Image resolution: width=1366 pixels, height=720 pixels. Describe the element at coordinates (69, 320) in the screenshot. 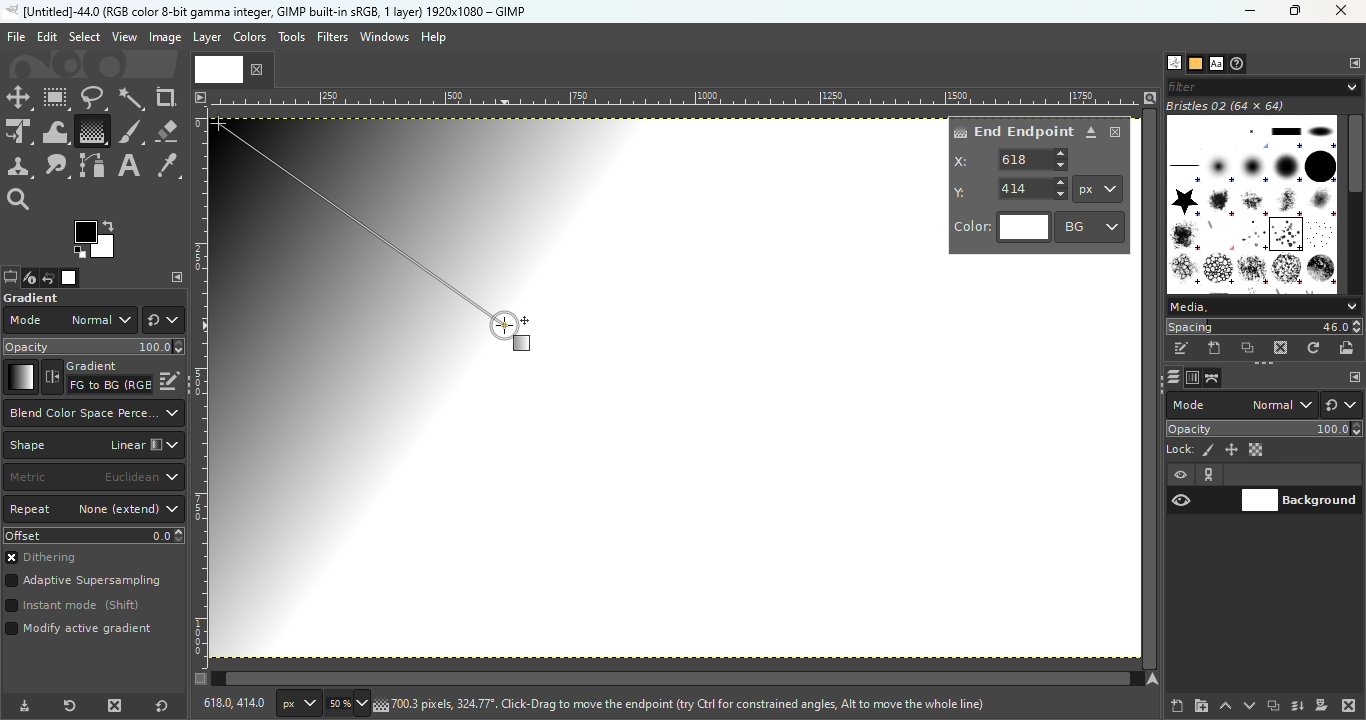

I see `Mode` at that location.